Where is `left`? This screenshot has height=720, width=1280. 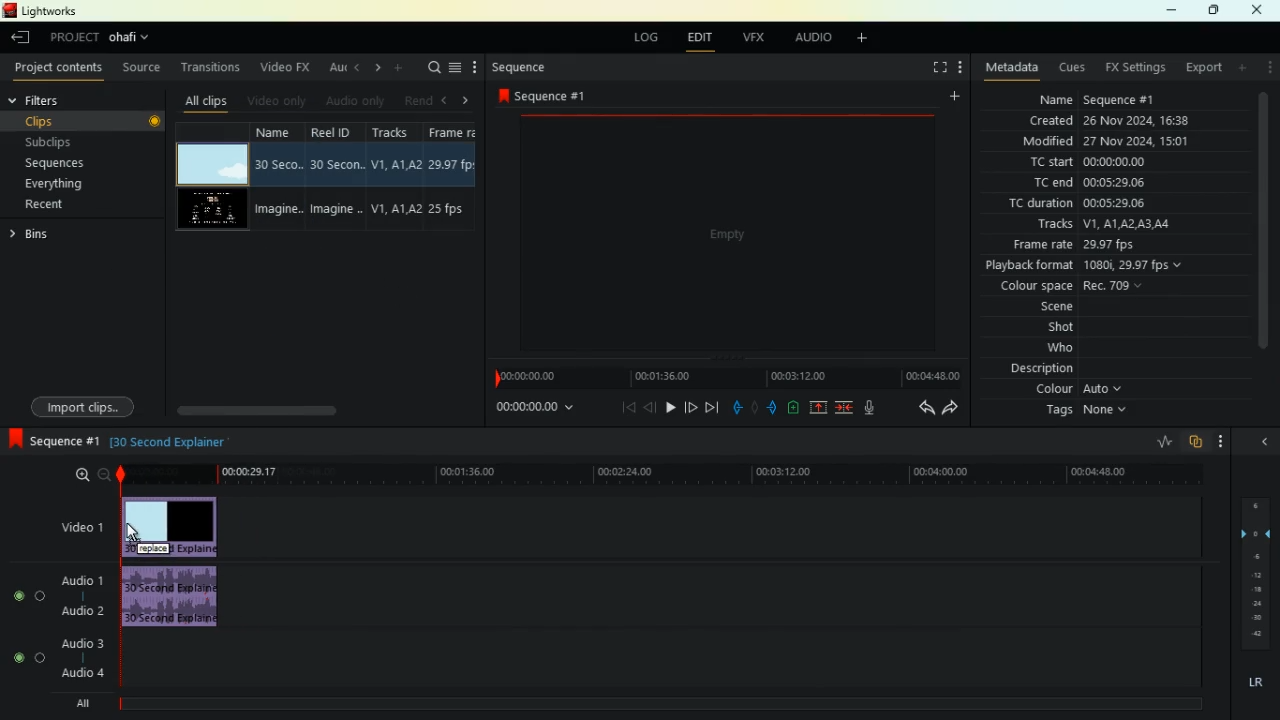
left is located at coordinates (356, 68).